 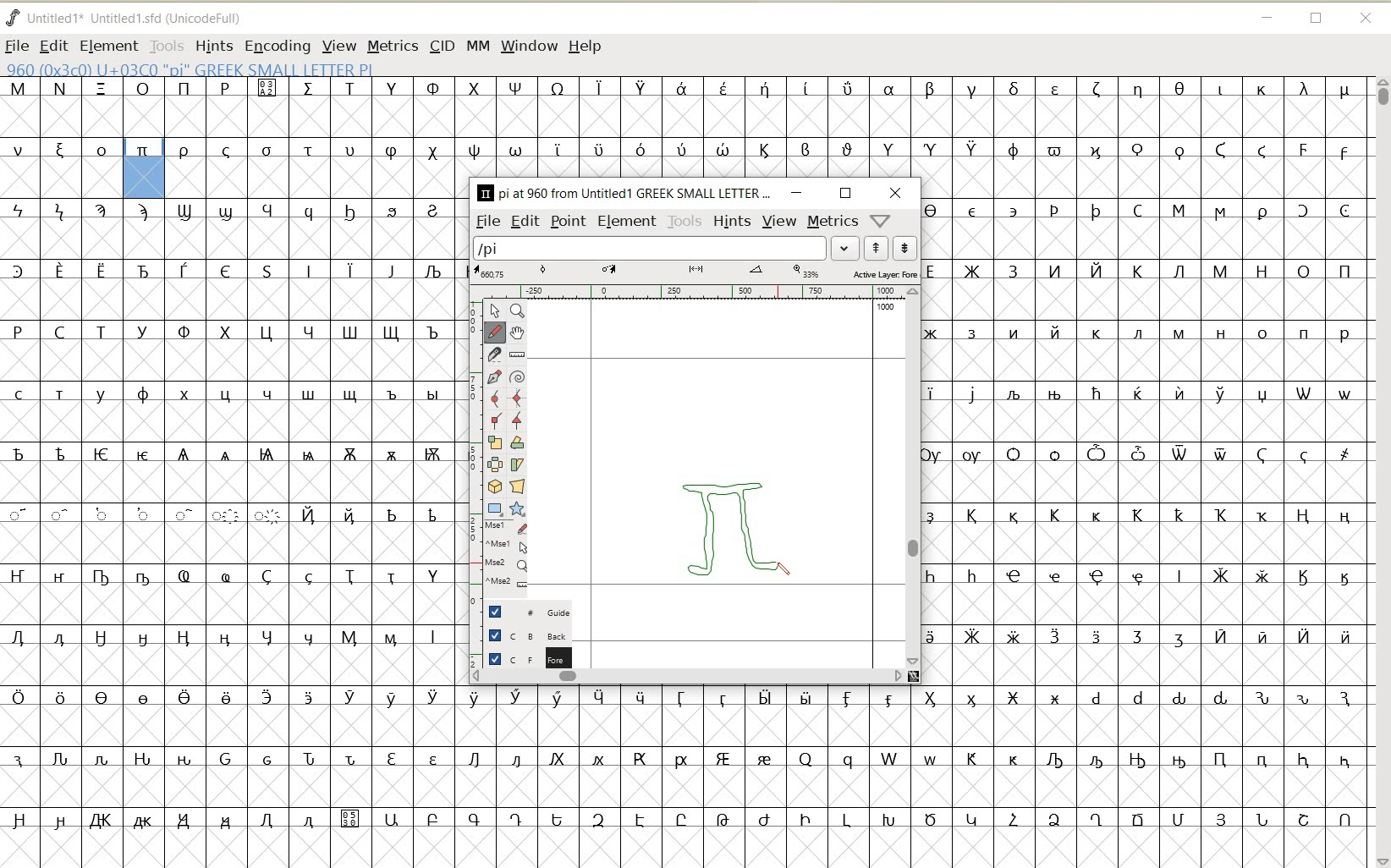 What do you see at coordinates (477, 45) in the screenshot?
I see `MM` at bounding box center [477, 45].